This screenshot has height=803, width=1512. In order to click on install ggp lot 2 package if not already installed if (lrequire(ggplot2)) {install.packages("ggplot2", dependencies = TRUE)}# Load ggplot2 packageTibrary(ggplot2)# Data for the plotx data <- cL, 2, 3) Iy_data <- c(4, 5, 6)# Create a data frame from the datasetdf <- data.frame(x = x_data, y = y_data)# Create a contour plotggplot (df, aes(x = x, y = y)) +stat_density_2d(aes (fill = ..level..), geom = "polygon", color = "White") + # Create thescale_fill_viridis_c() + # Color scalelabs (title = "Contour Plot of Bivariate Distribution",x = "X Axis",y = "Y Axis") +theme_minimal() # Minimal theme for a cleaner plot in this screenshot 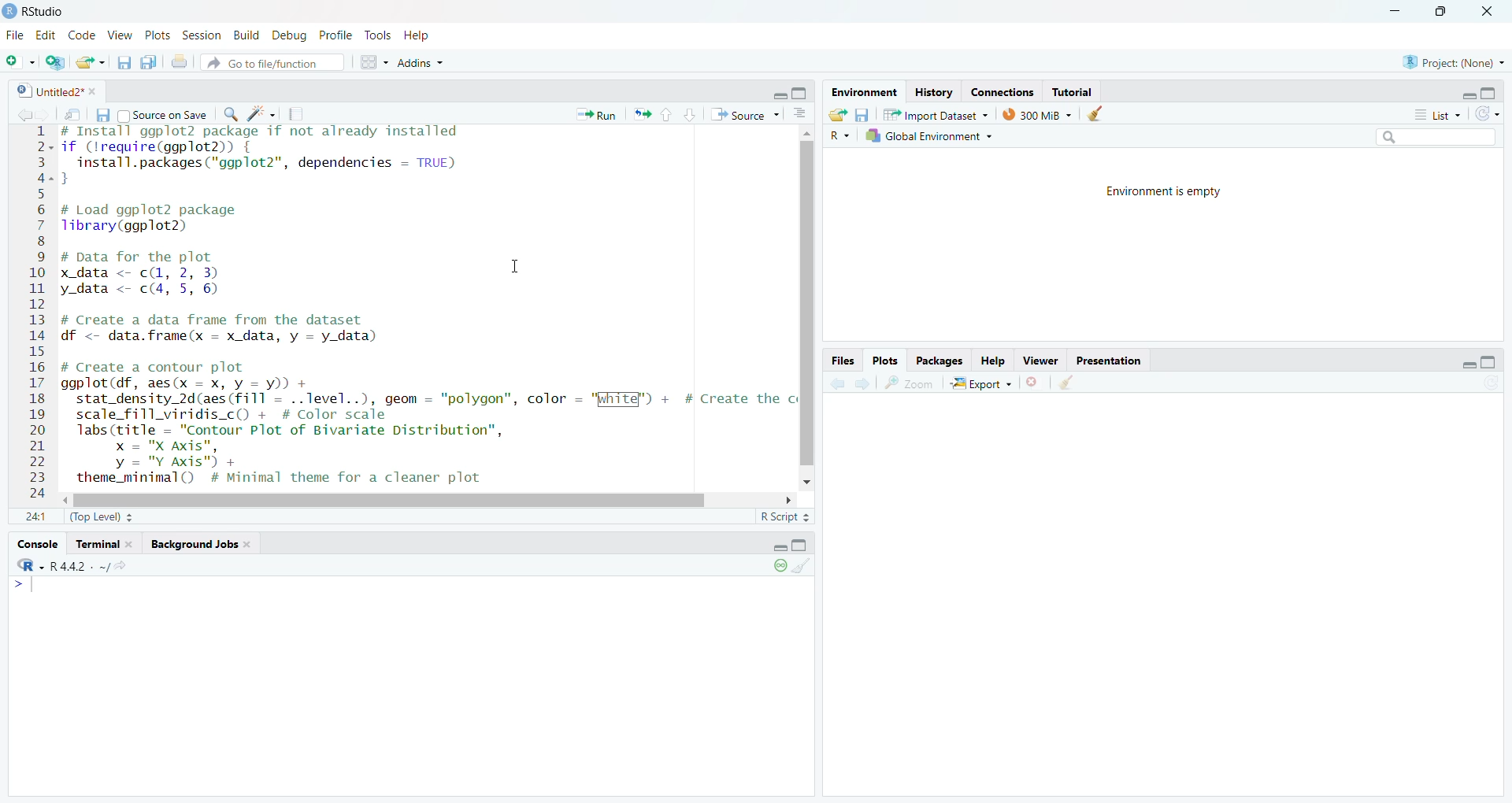, I will do `click(423, 305)`.